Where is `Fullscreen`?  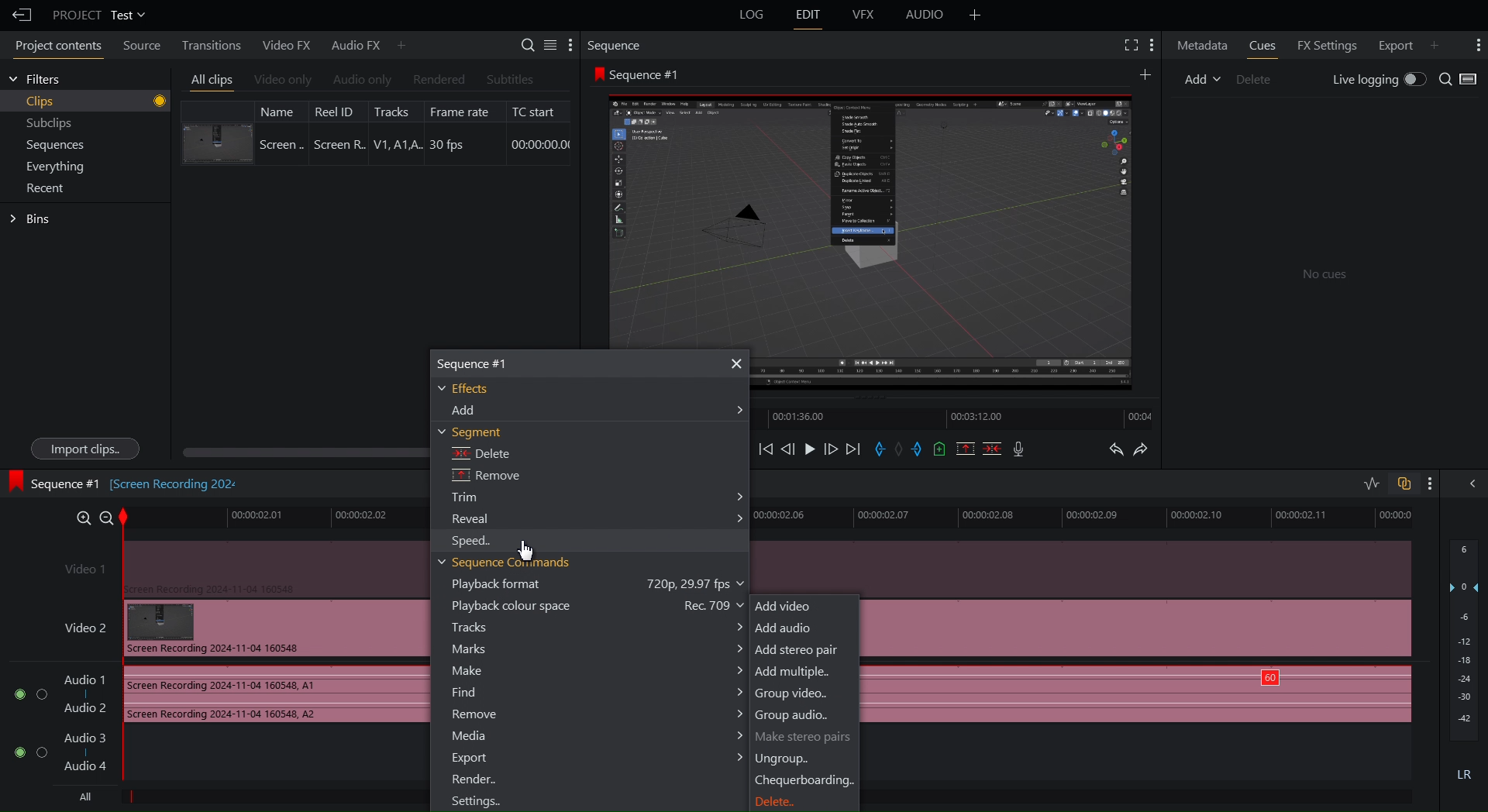 Fullscreen is located at coordinates (1128, 45).